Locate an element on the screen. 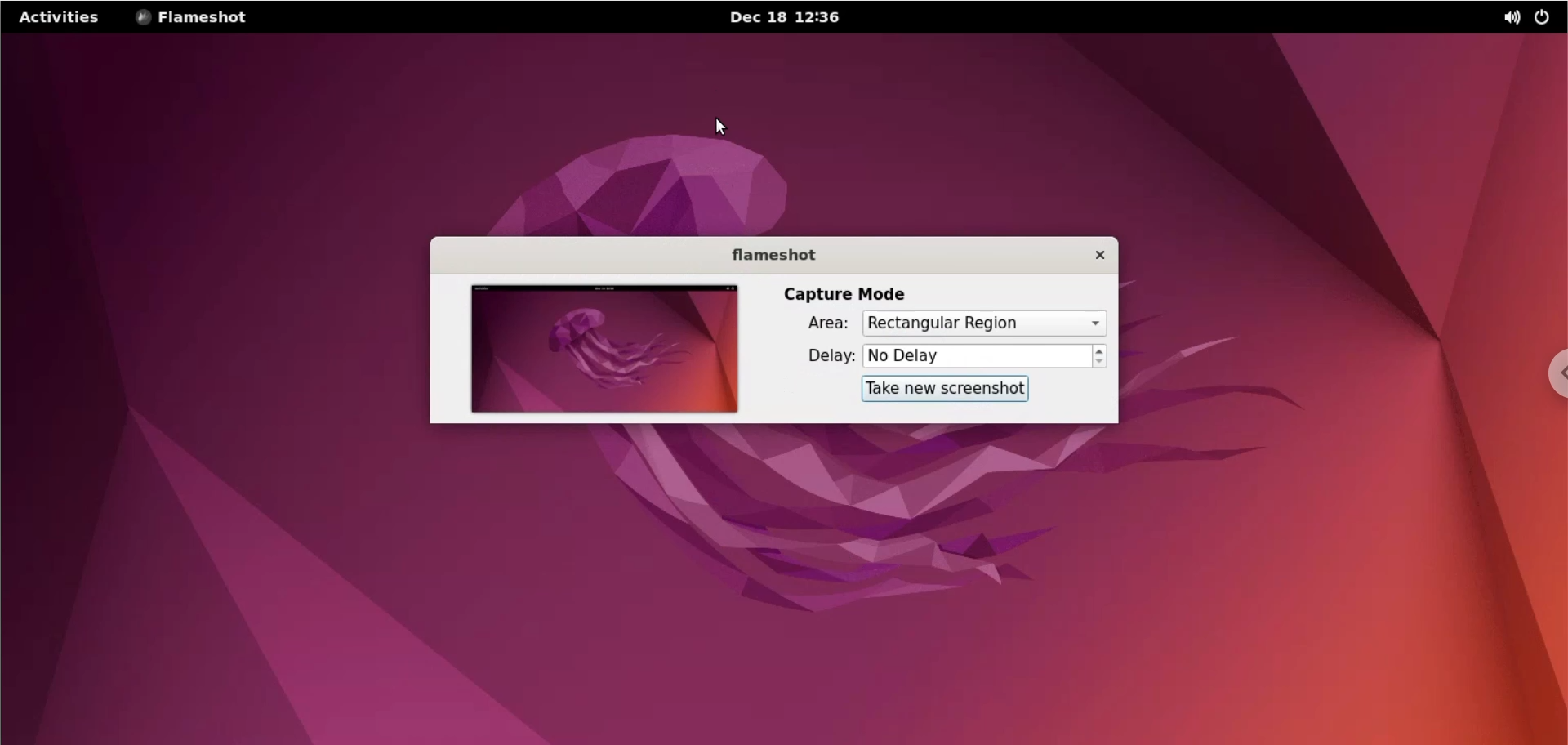  delay options is located at coordinates (978, 357).